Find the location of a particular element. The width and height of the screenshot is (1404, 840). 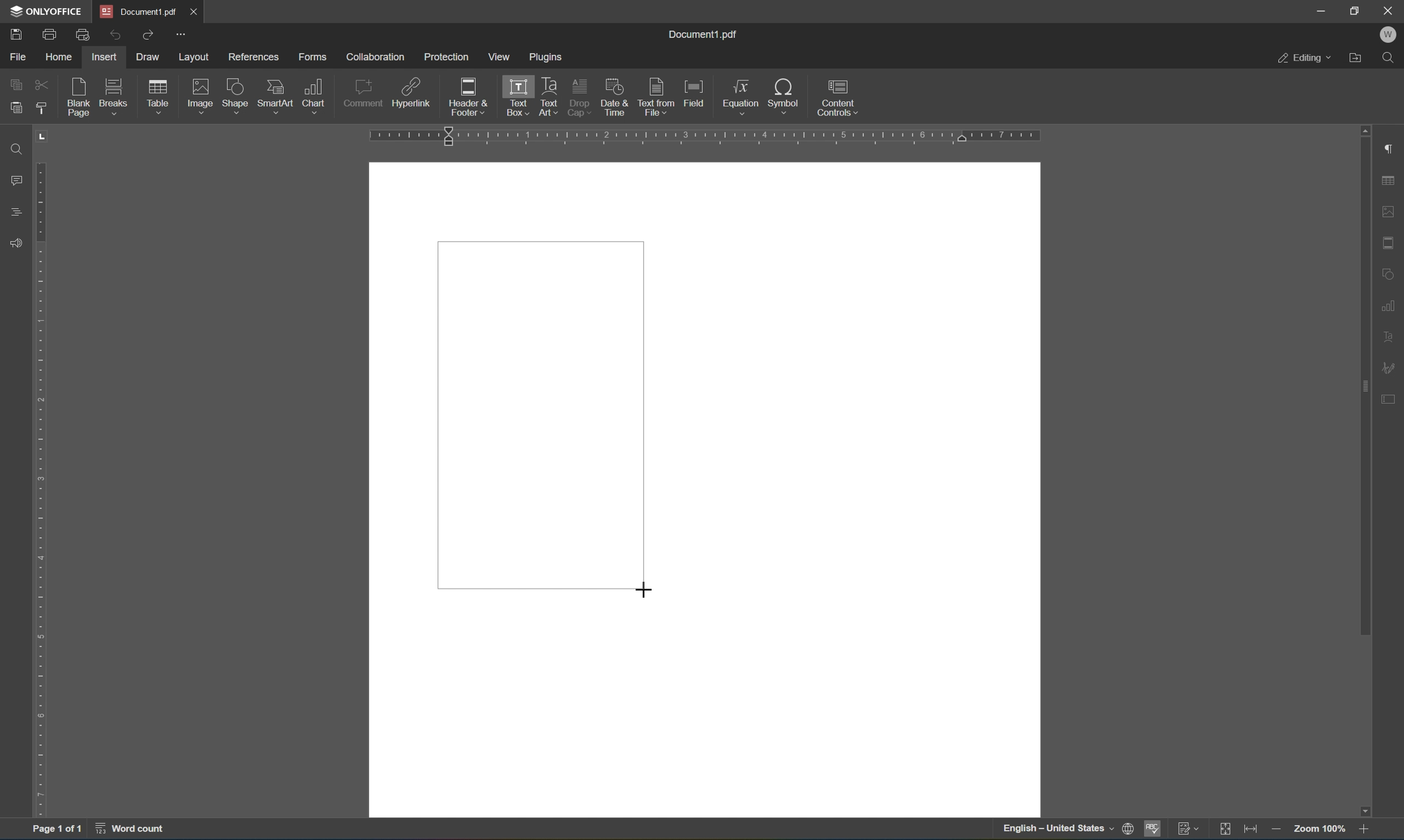

Open file location is located at coordinates (1356, 58).